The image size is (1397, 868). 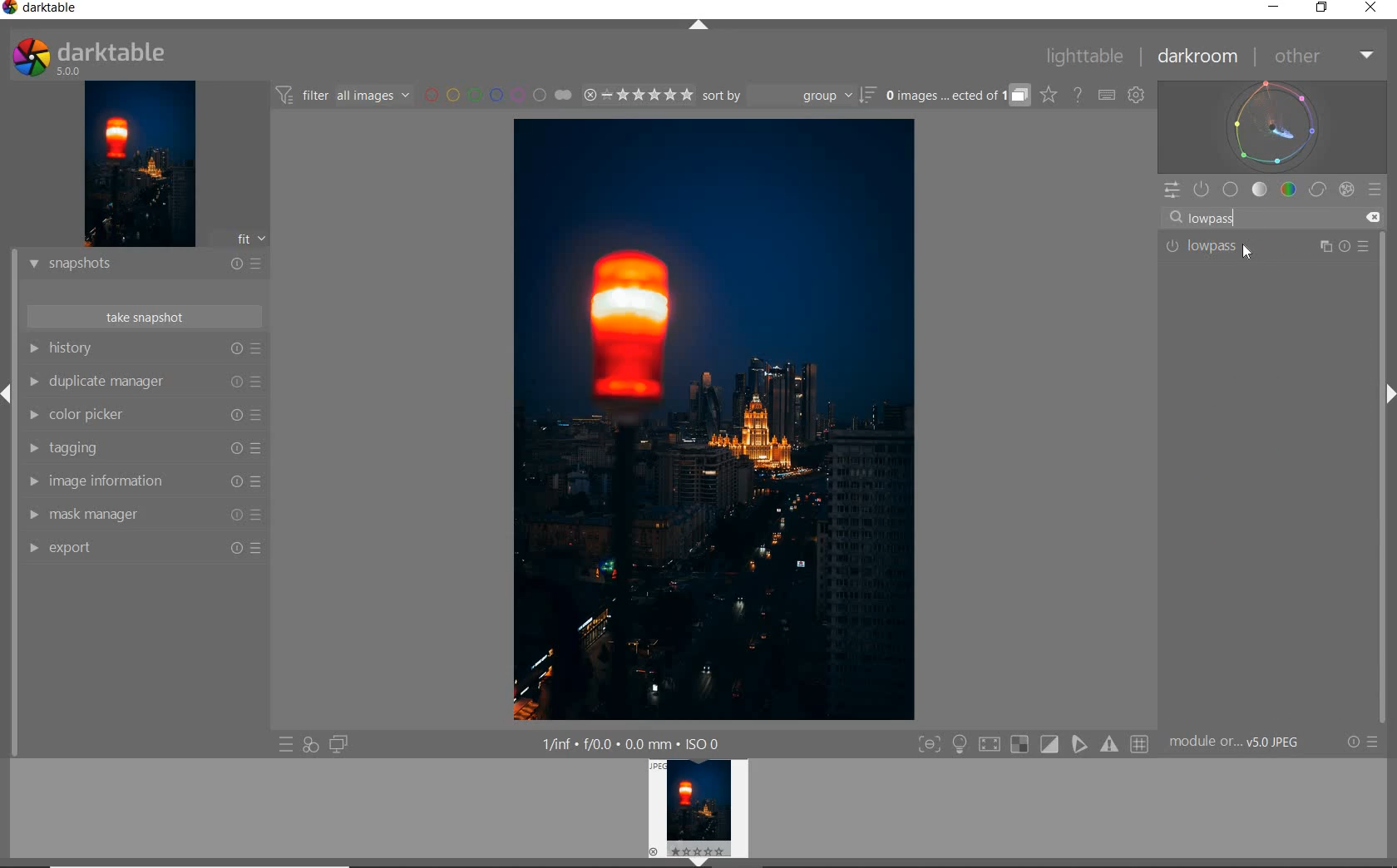 I want to click on Preset and reset, so click(x=260, y=417).